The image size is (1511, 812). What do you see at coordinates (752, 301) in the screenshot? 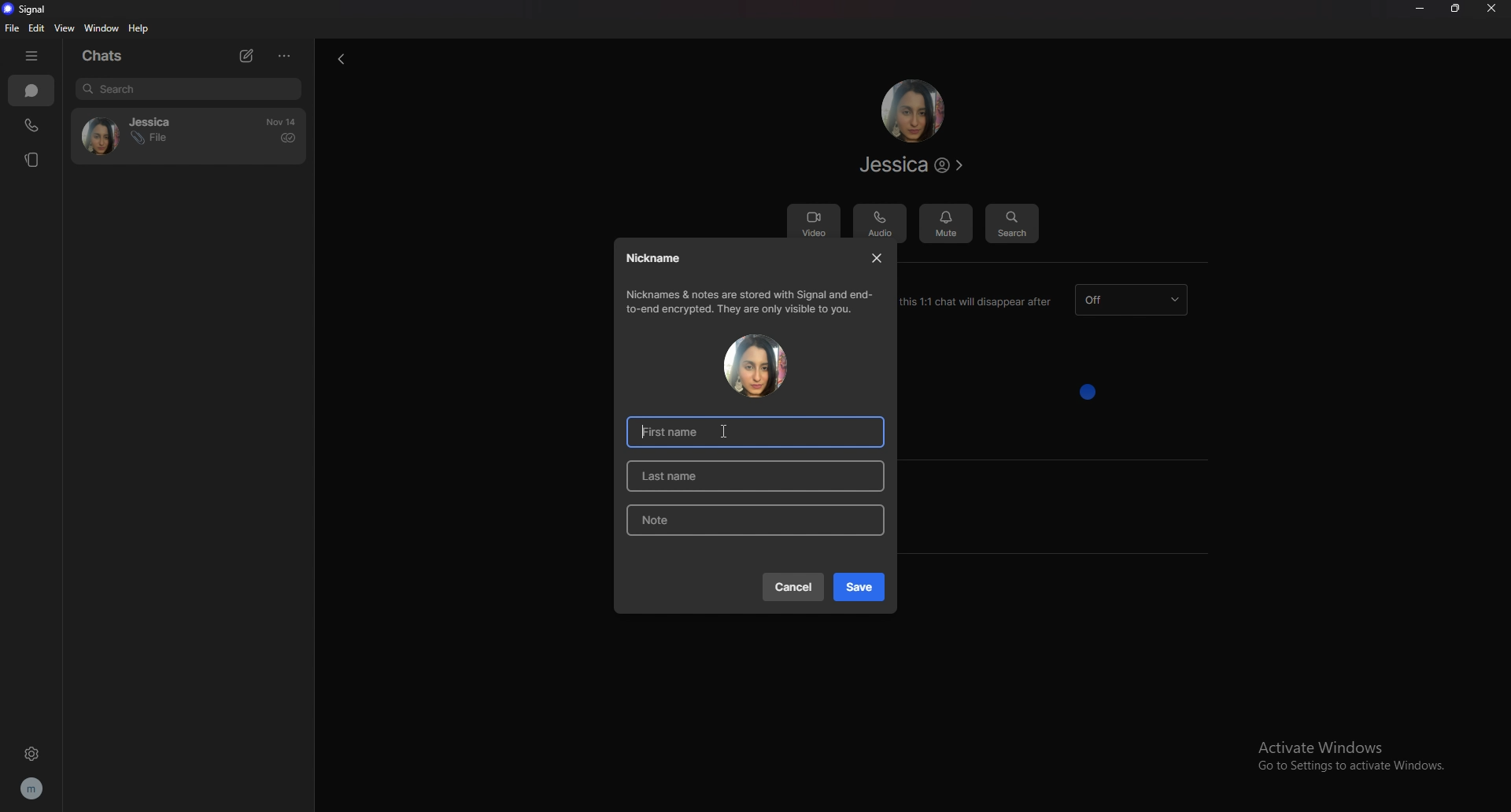
I see `info` at bounding box center [752, 301].